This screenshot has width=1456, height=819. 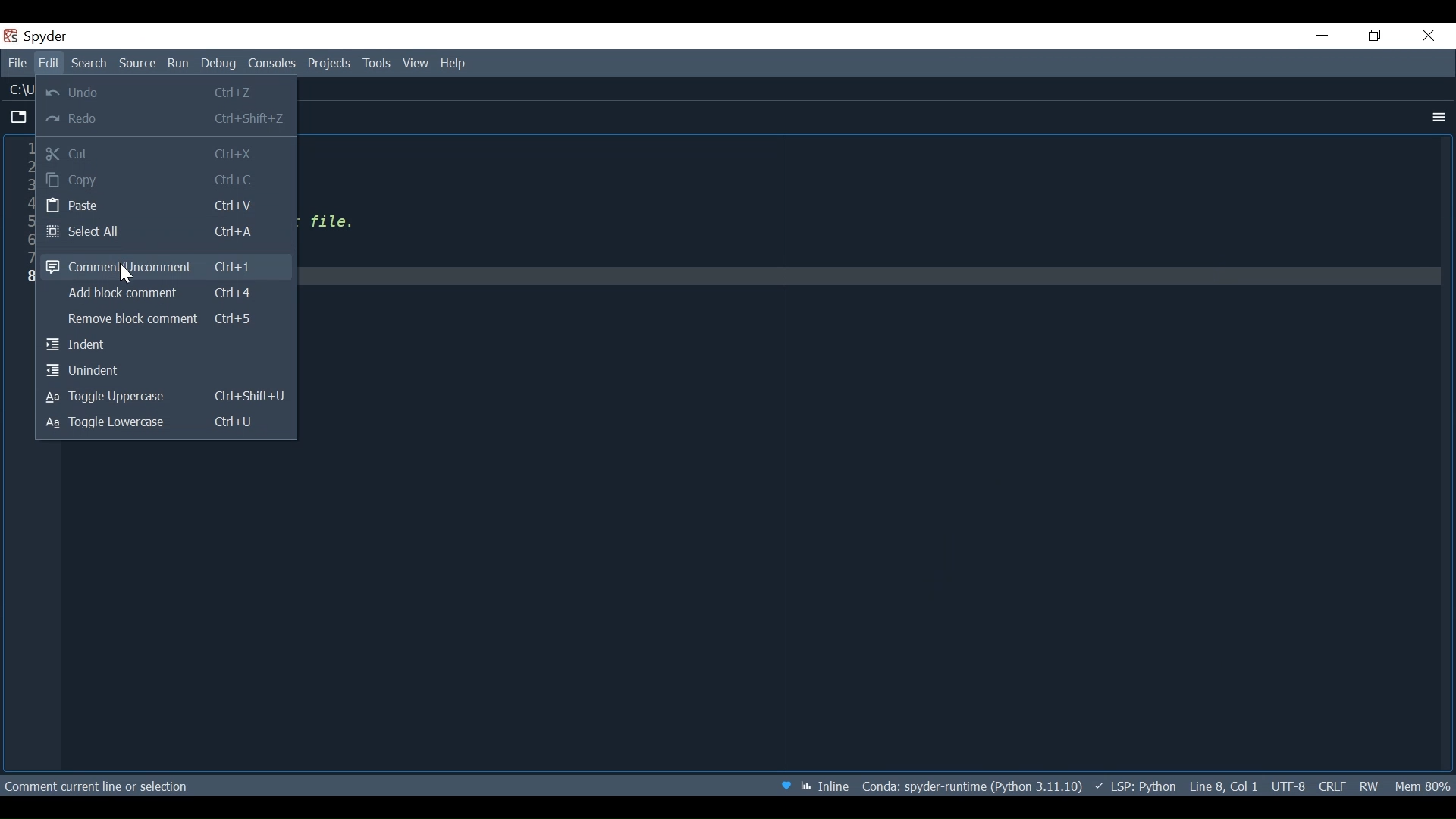 What do you see at coordinates (824, 786) in the screenshot?
I see `Toggle Inline and interactive Matplotlib plotting` at bounding box center [824, 786].